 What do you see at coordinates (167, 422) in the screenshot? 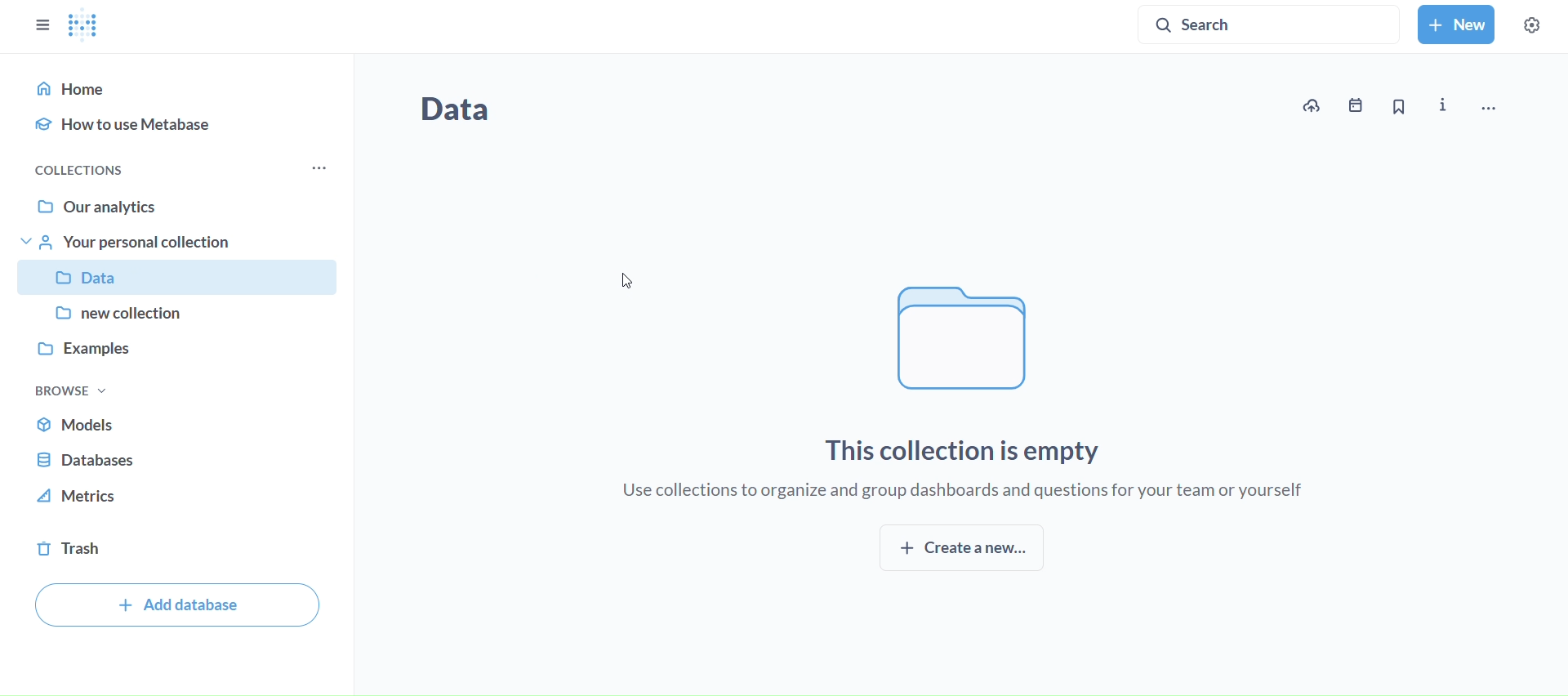
I see `models` at bounding box center [167, 422].